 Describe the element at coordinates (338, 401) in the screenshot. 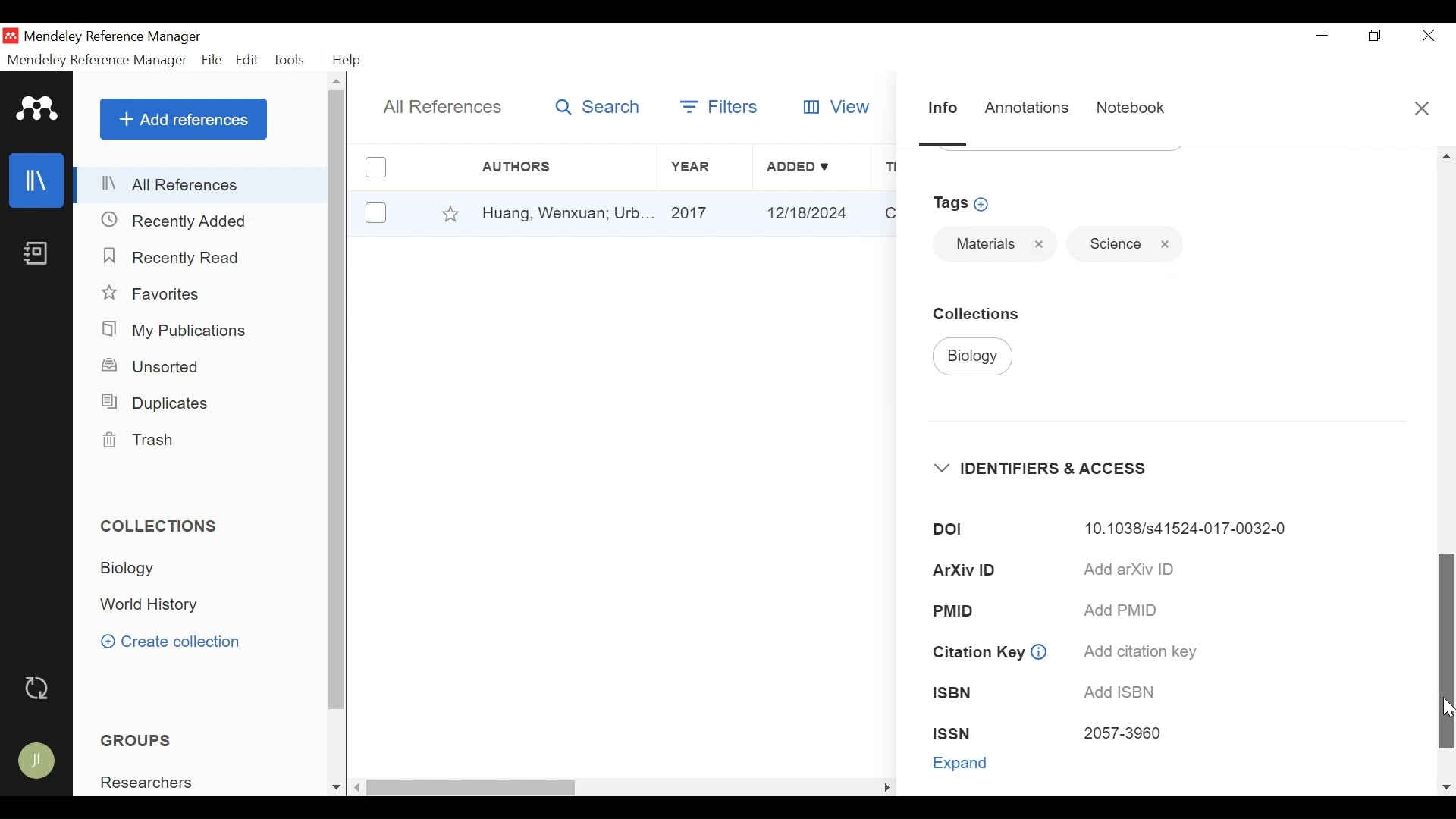

I see `Vertical Scroll bar` at that location.